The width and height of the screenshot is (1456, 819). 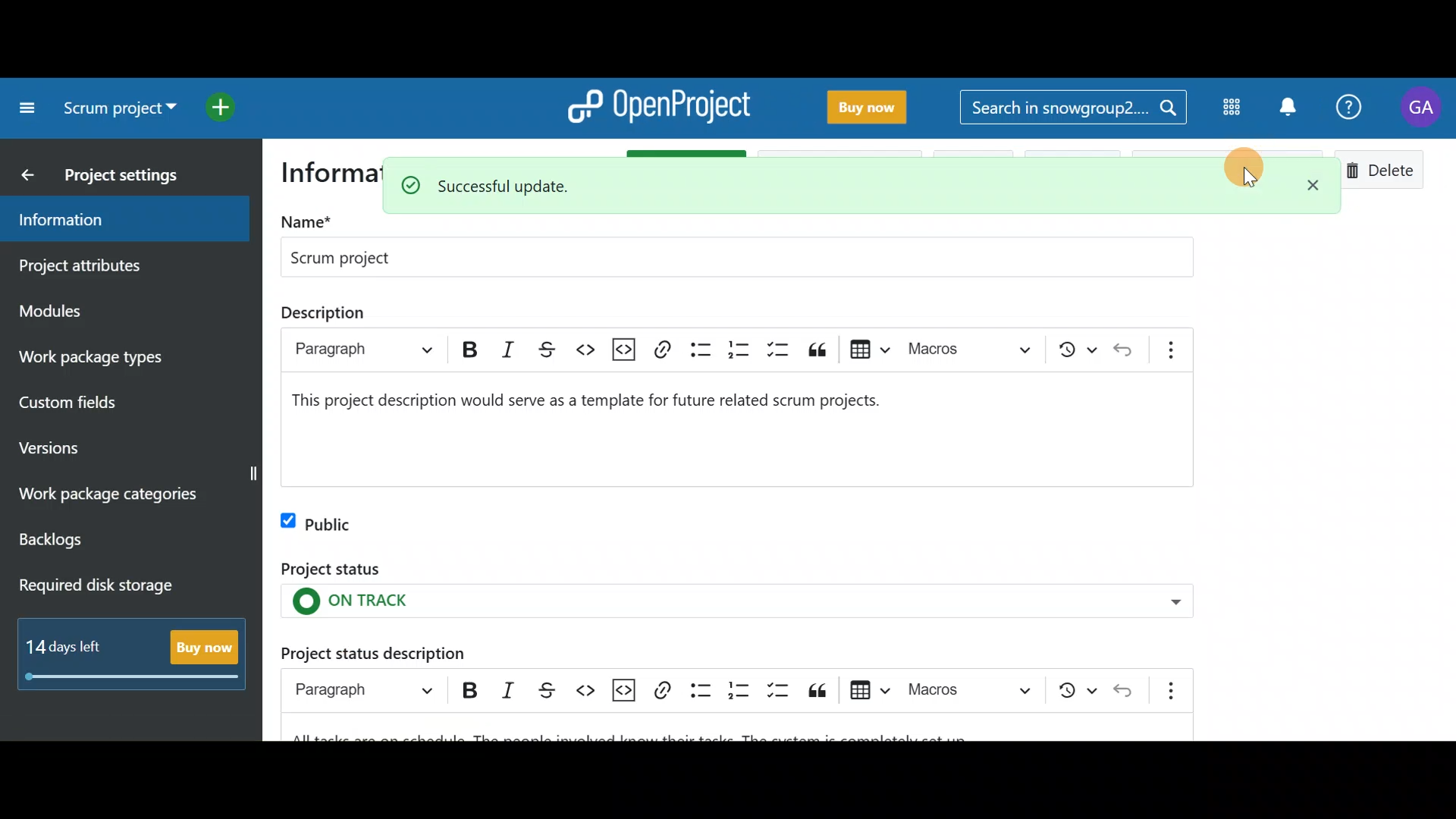 What do you see at coordinates (110, 540) in the screenshot?
I see `Backlogs` at bounding box center [110, 540].